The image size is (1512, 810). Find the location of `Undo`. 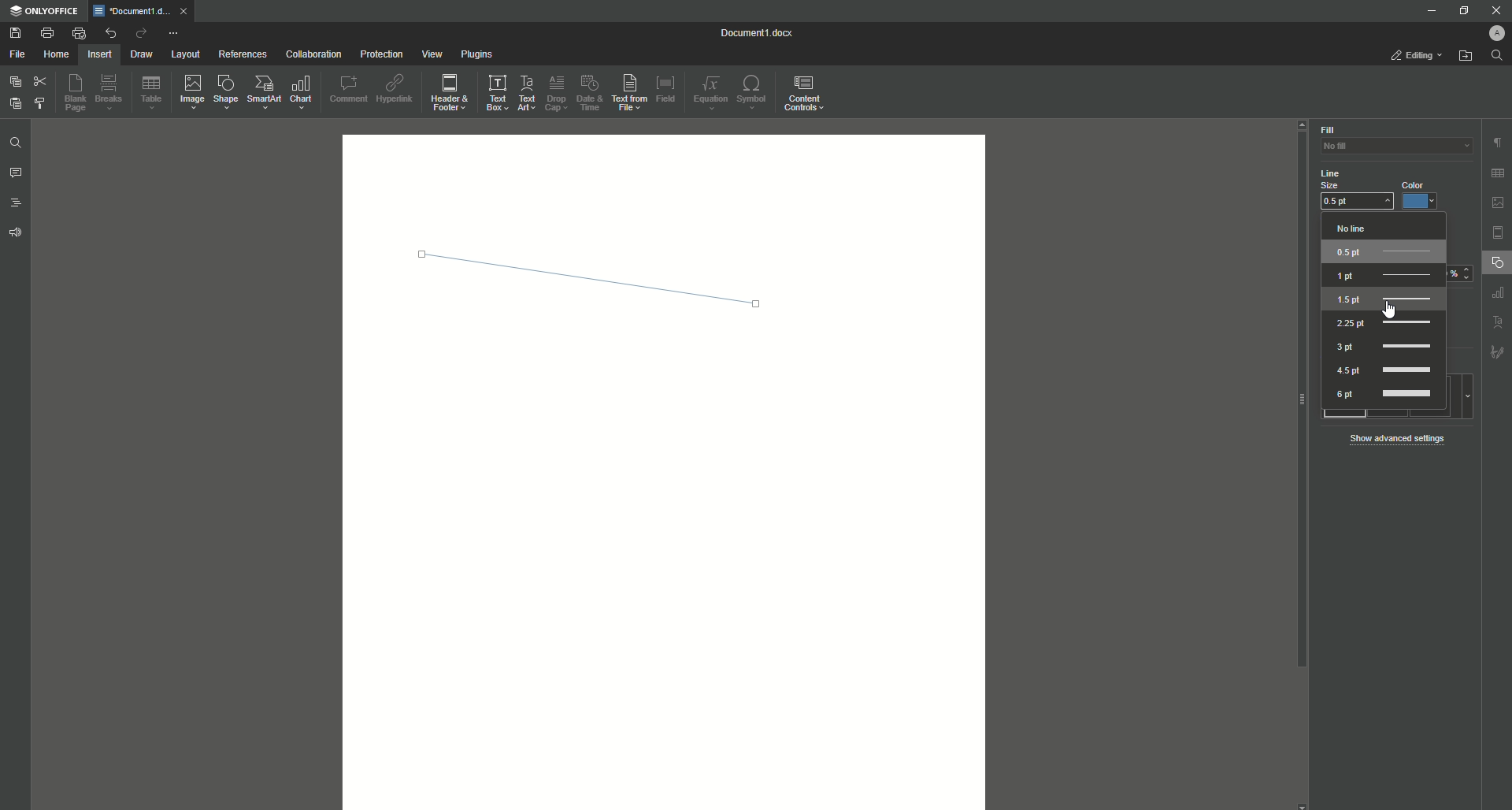

Undo is located at coordinates (109, 32).